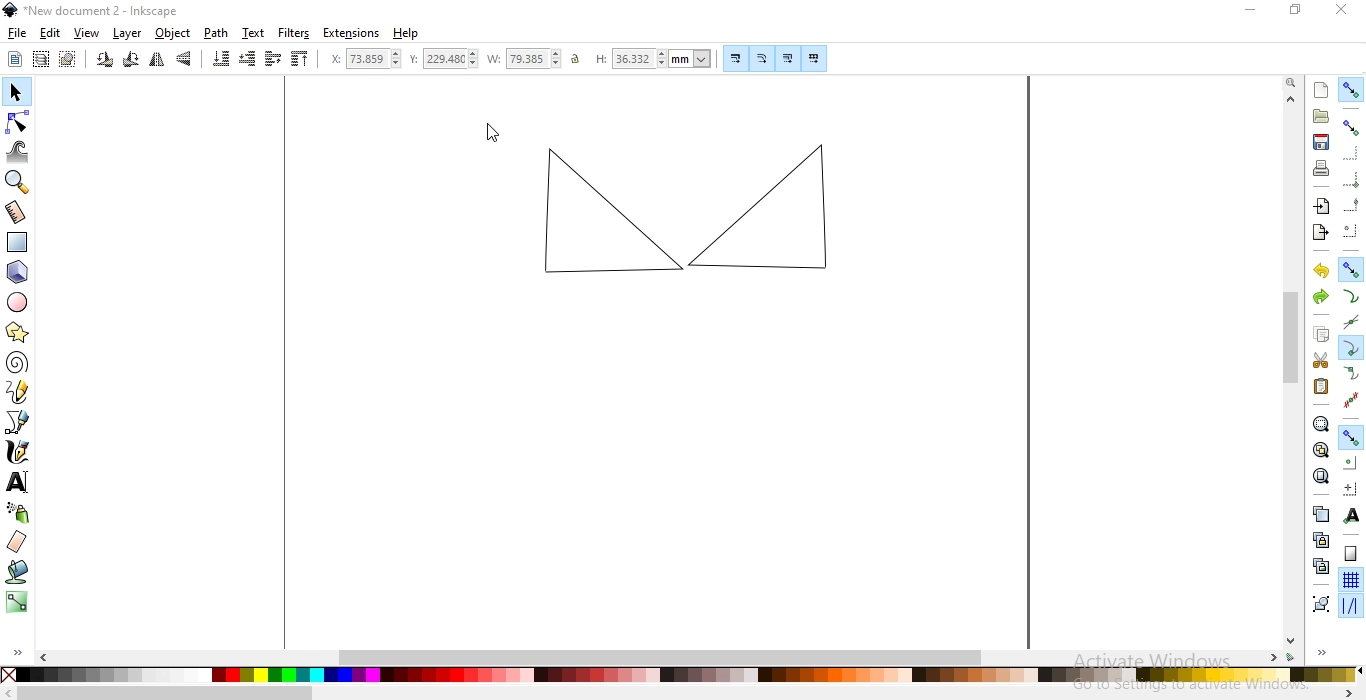 The image size is (1366, 700). Describe the element at coordinates (15, 92) in the screenshot. I see `select and transform objects` at that location.